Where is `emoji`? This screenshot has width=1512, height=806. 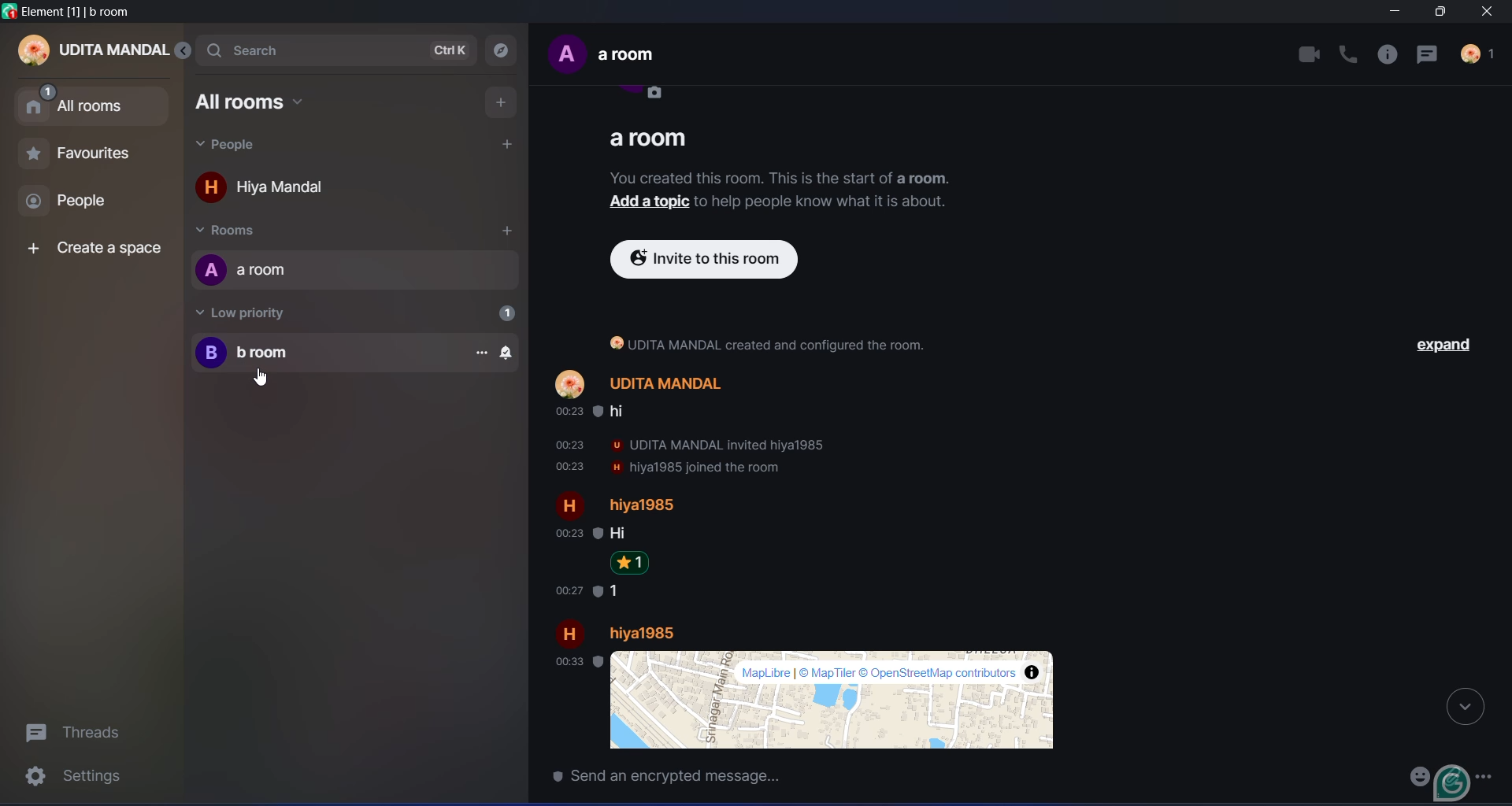
emoji is located at coordinates (1414, 775).